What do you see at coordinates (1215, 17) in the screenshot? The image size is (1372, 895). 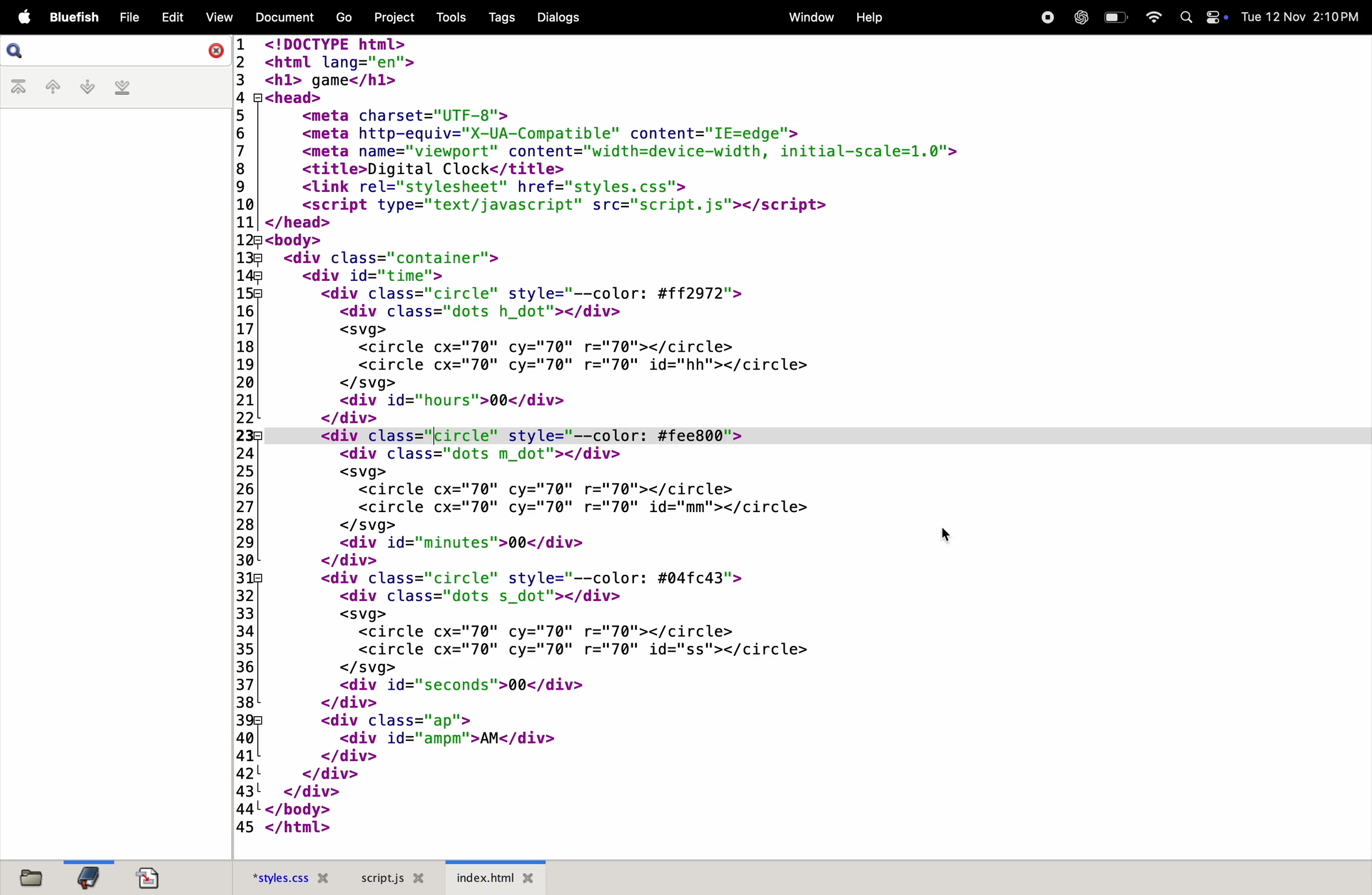 I see `Toggle` at bounding box center [1215, 17].